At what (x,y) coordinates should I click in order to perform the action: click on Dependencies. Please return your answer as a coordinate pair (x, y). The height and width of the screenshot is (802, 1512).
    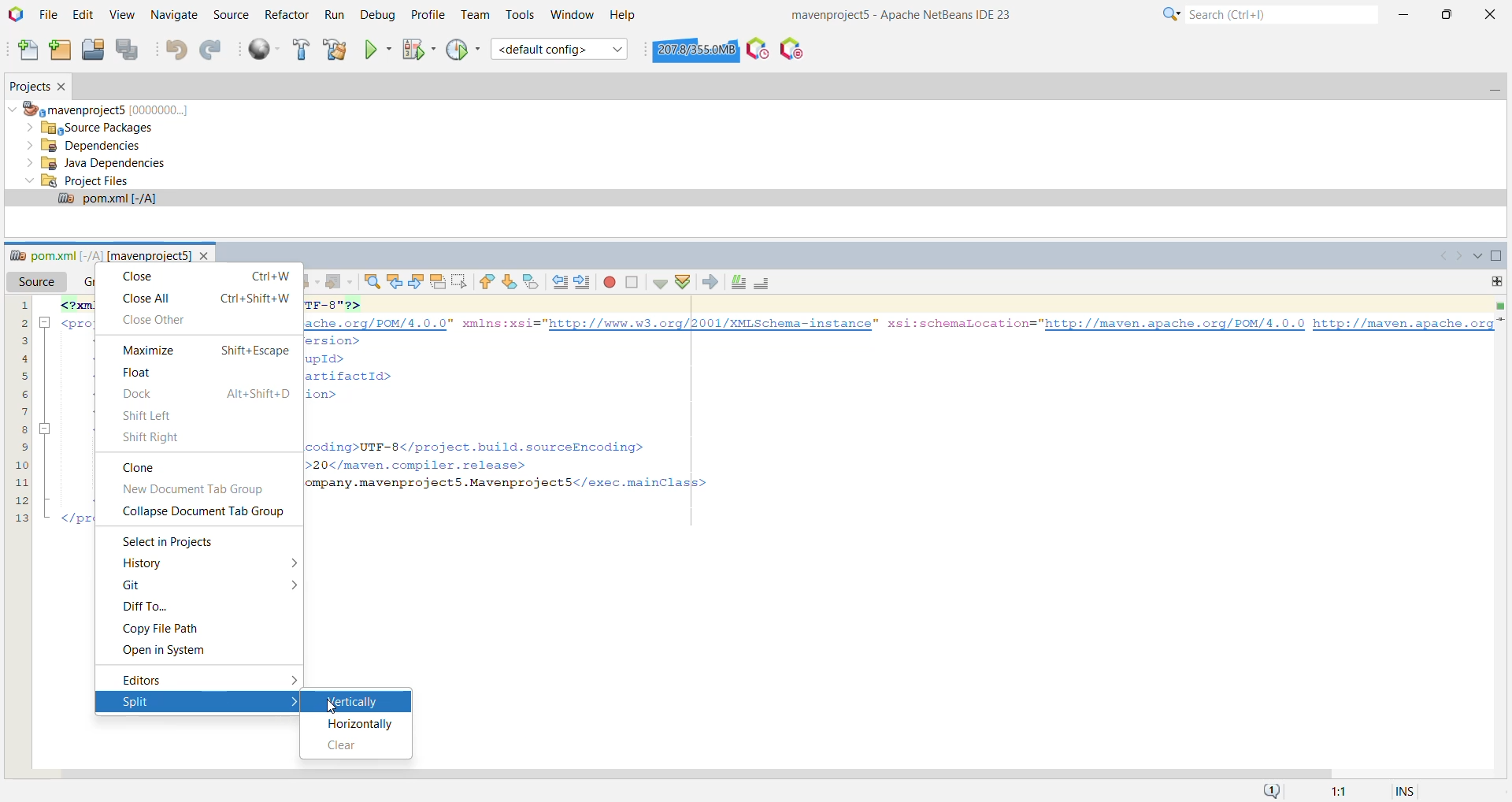
    Looking at the image, I should click on (88, 146).